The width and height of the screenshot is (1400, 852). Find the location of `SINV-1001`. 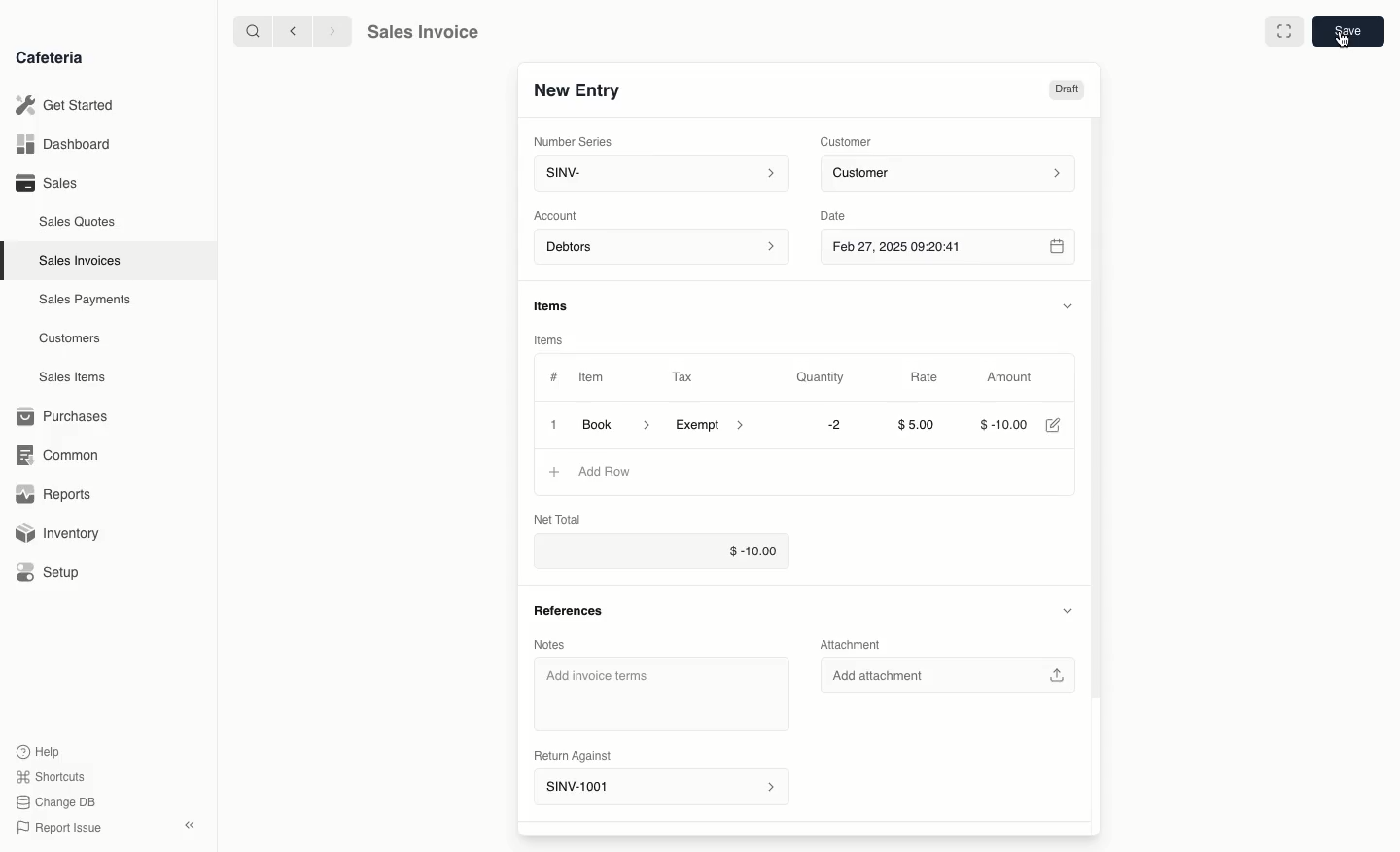

SINV-1001 is located at coordinates (577, 90).